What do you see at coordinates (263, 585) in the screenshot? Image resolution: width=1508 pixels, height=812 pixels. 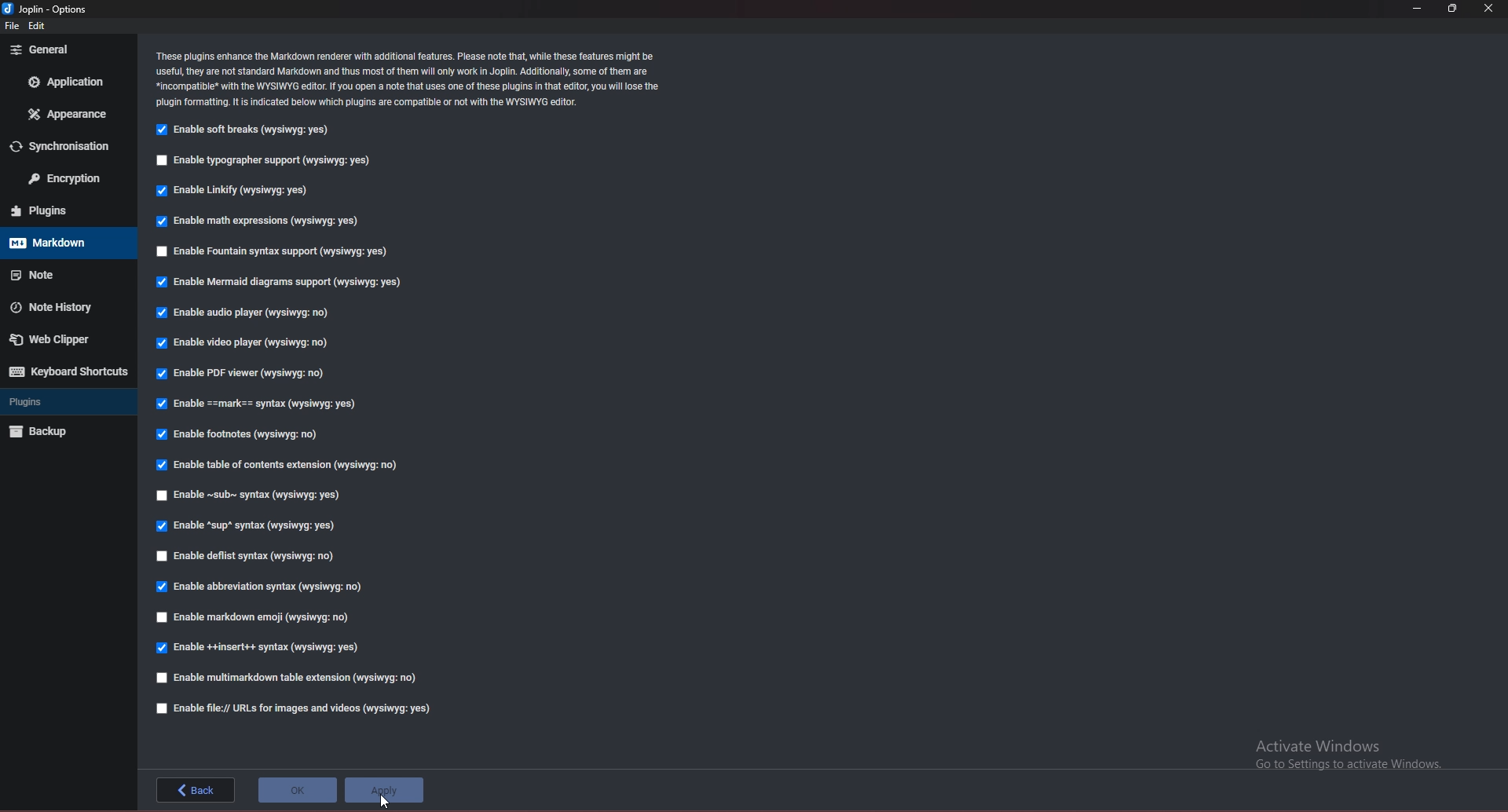 I see `enable abbreviation syntax` at bounding box center [263, 585].